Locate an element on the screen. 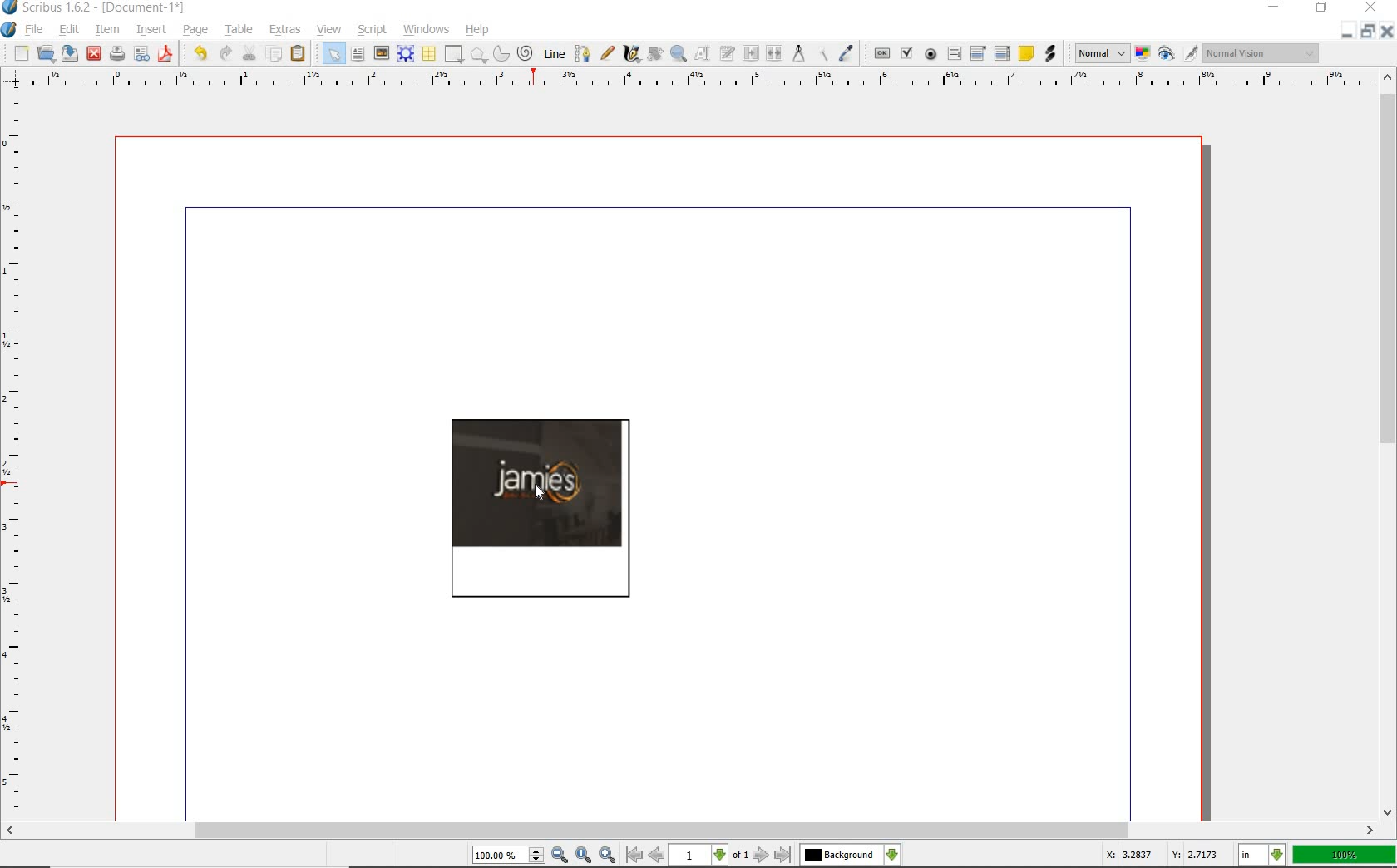  move to next or previous page is located at coordinates (708, 856).